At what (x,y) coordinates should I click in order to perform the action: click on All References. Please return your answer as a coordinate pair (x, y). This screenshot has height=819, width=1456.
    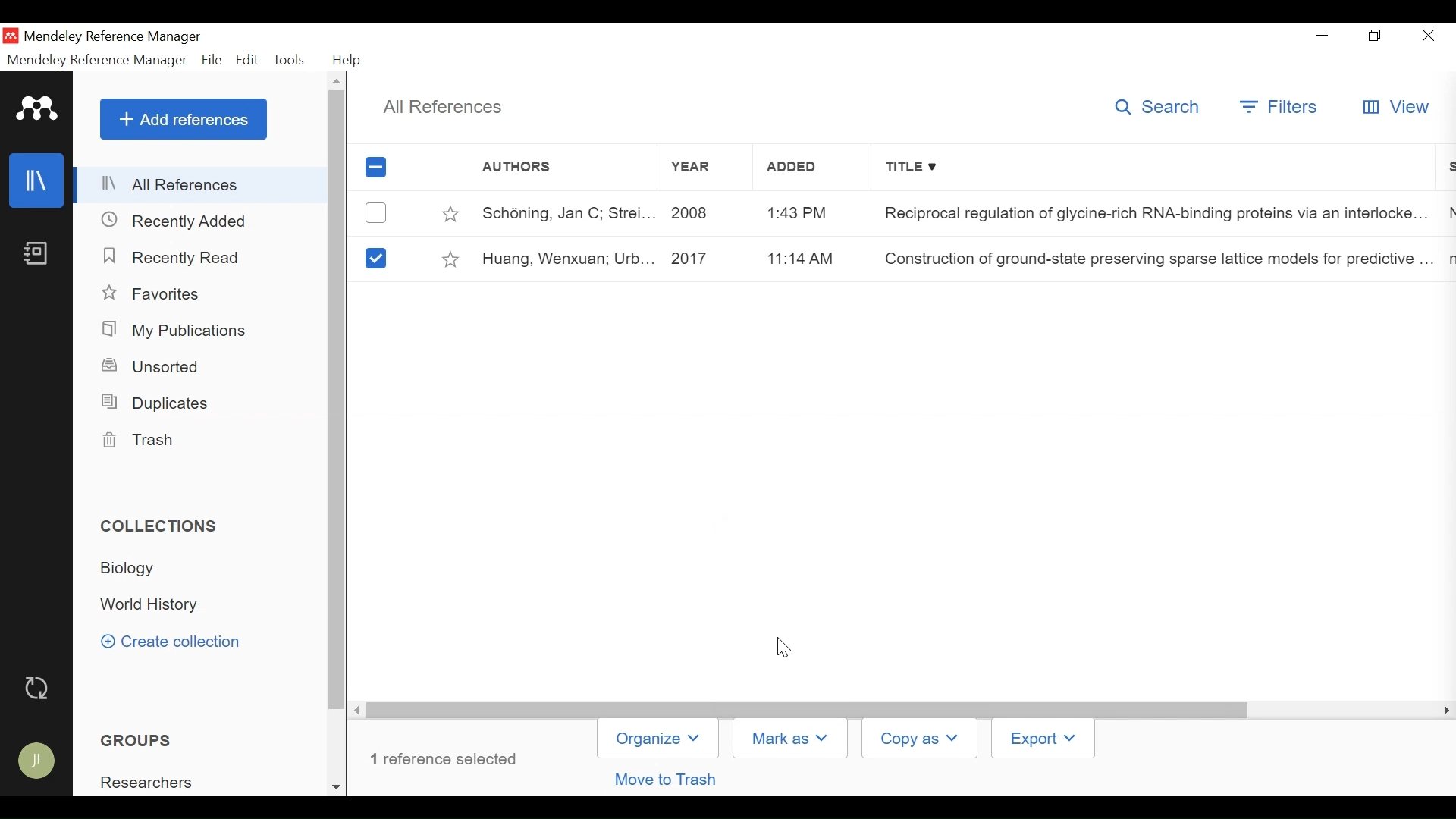
    Looking at the image, I should click on (202, 185).